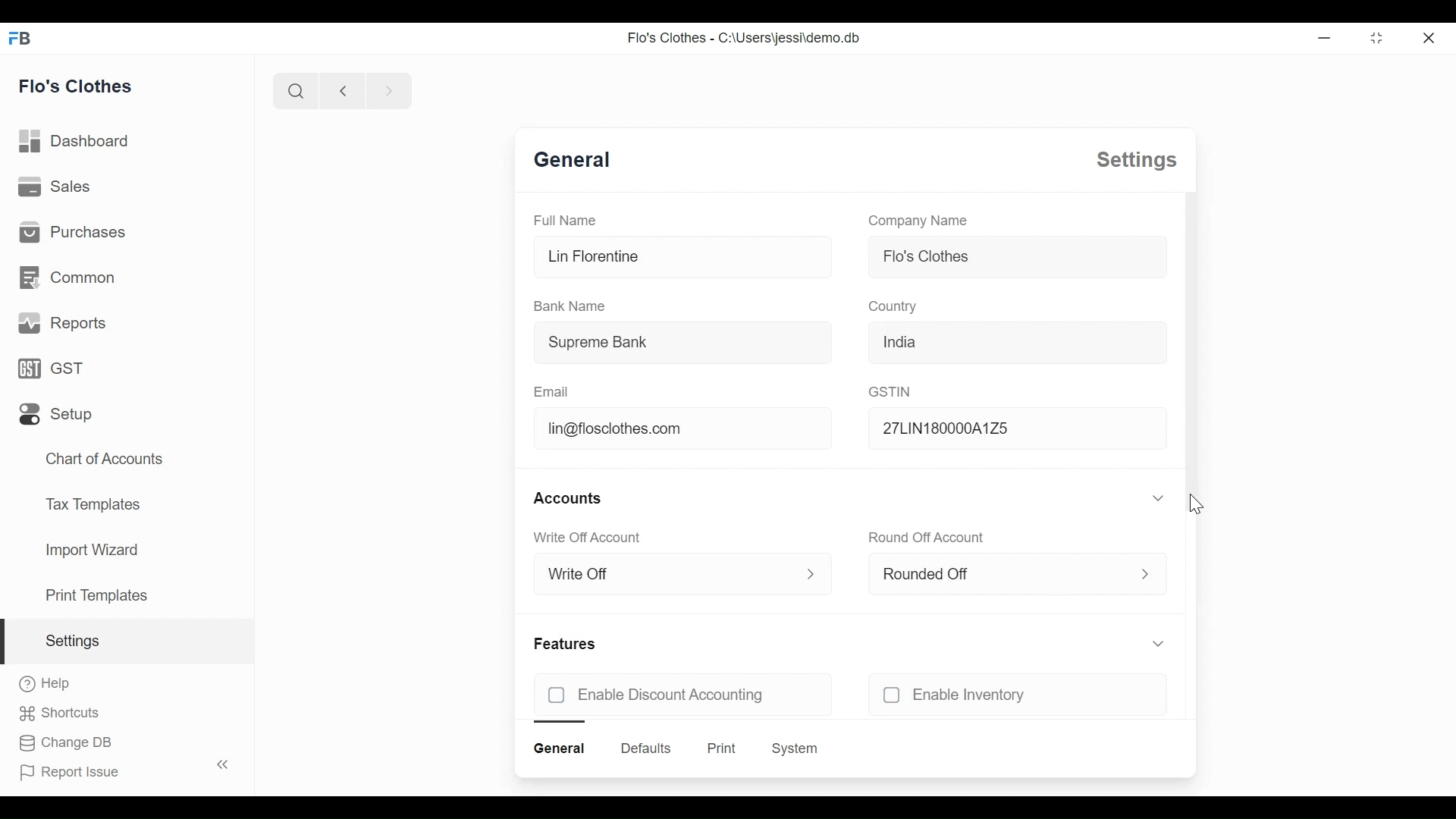 This screenshot has height=819, width=1456. What do you see at coordinates (742, 38) in the screenshot?
I see `Flo's Clothes - C:\Users\jessi\demo.db` at bounding box center [742, 38].